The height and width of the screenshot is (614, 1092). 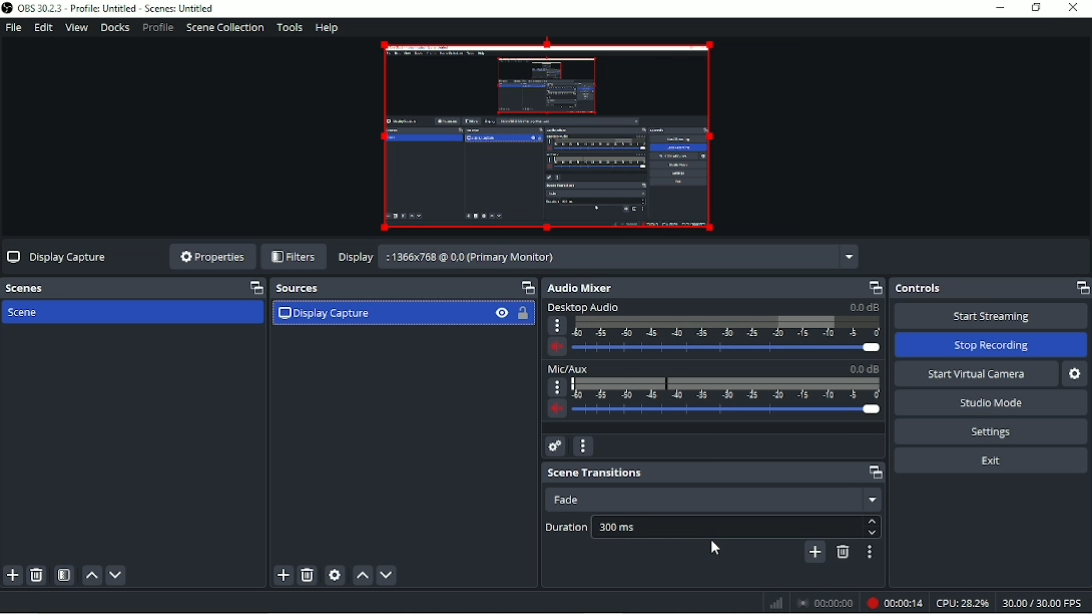 What do you see at coordinates (713, 331) in the screenshot?
I see `Desktop audio` at bounding box center [713, 331].